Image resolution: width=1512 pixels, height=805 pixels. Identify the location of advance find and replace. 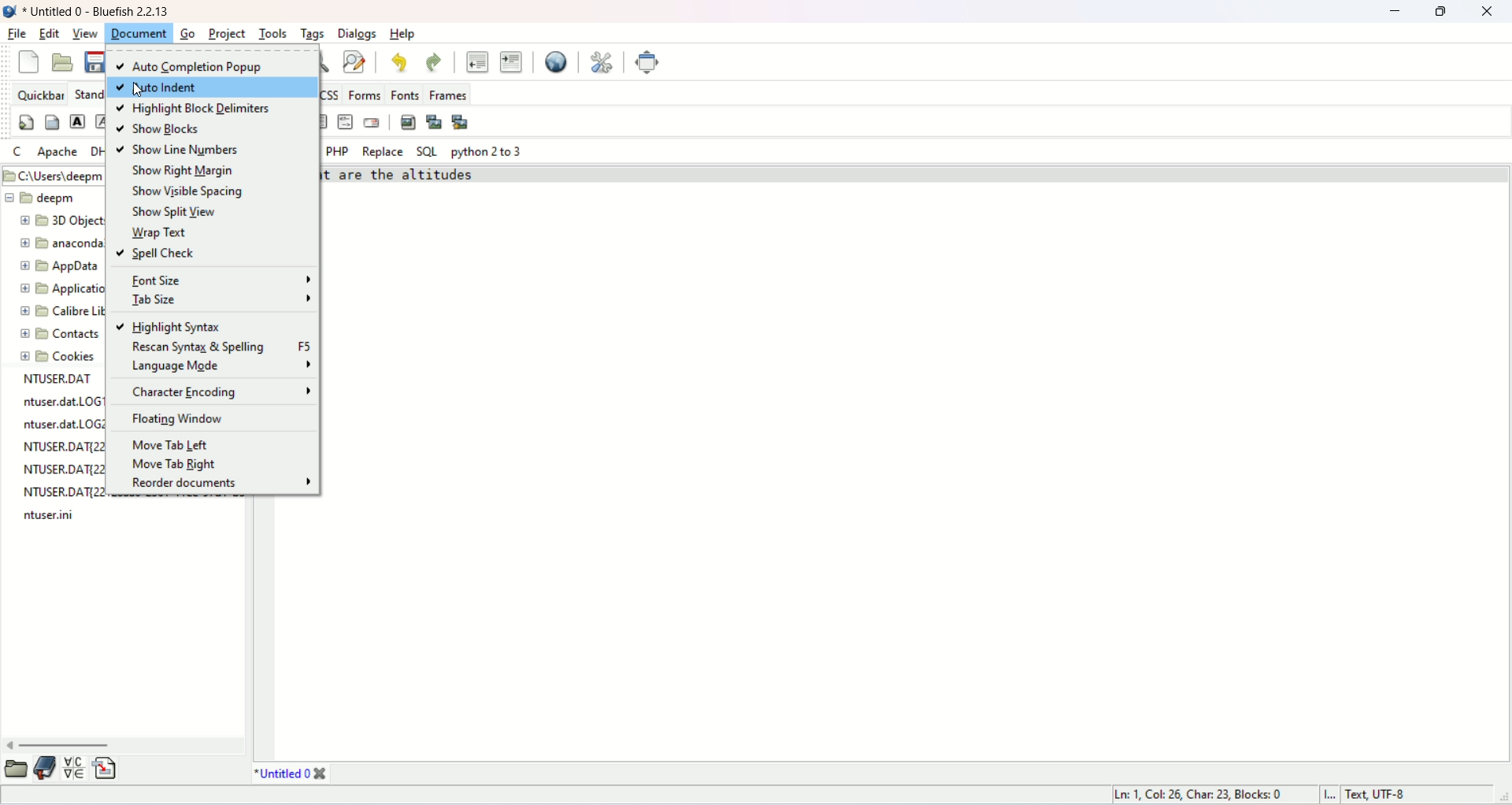
(354, 64).